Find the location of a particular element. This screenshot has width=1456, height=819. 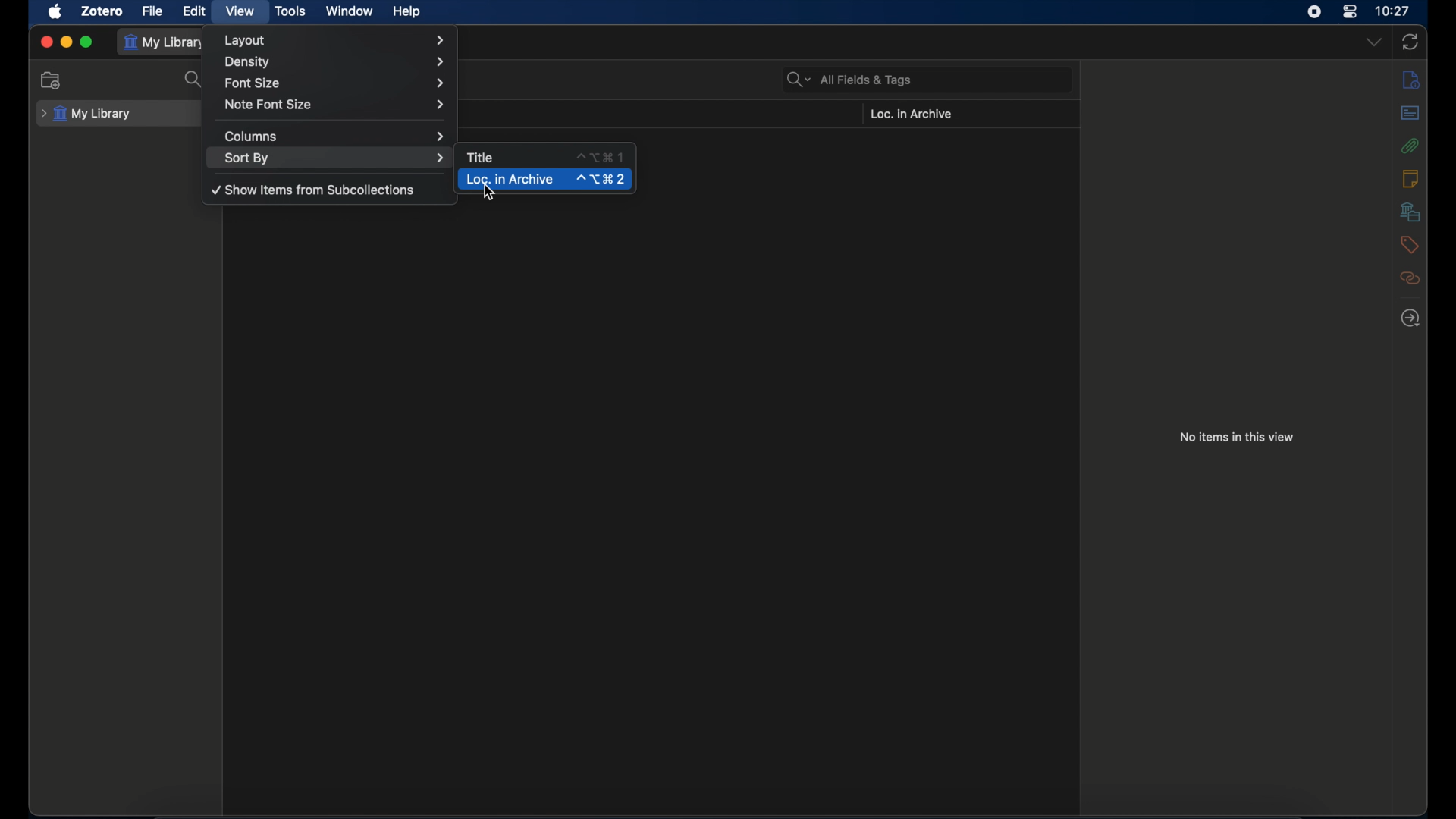

attachments is located at coordinates (1412, 146).